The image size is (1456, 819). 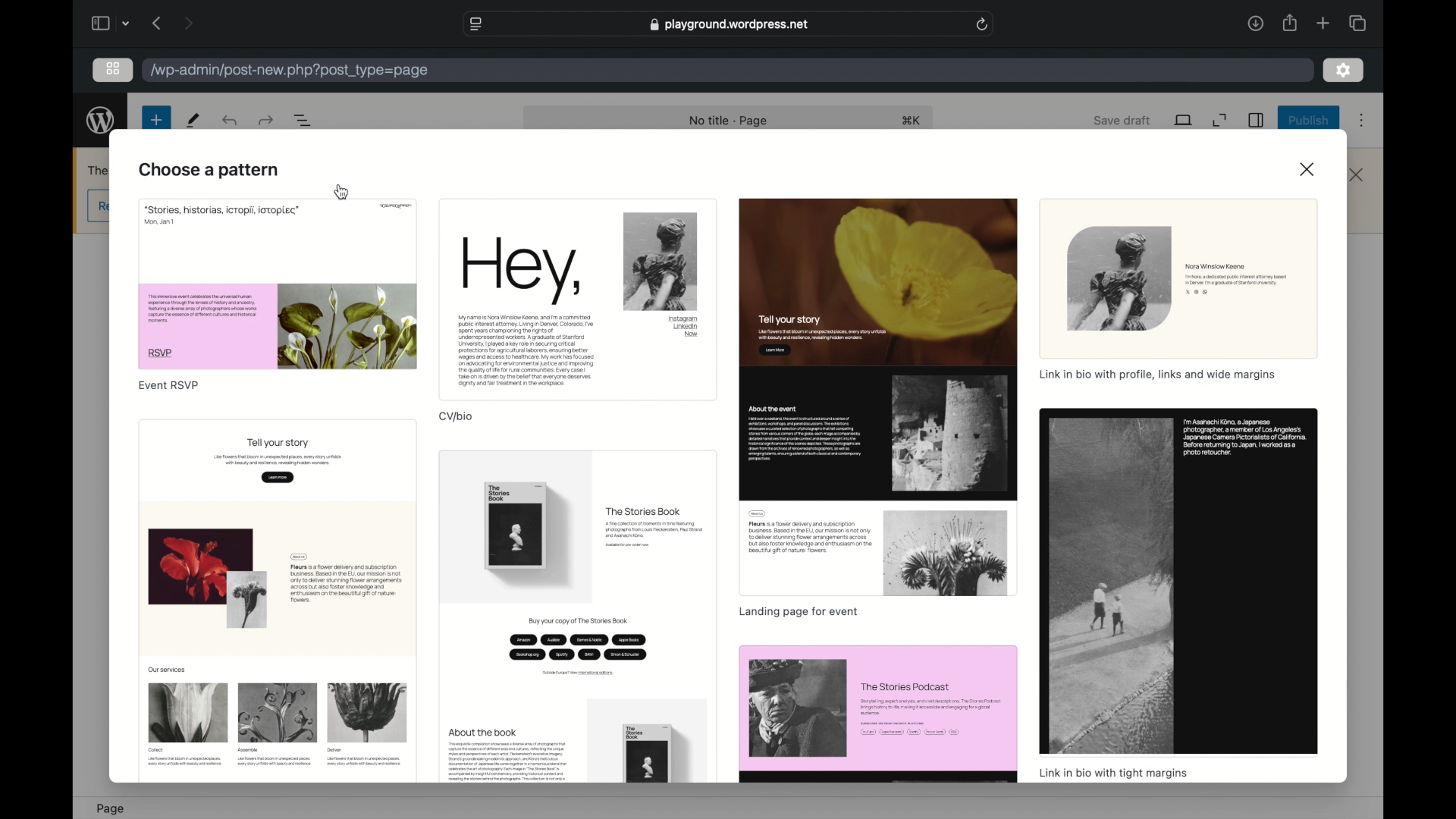 What do you see at coordinates (475, 25) in the screenshot?
I see `website settings` at bounding box center [475, 25].